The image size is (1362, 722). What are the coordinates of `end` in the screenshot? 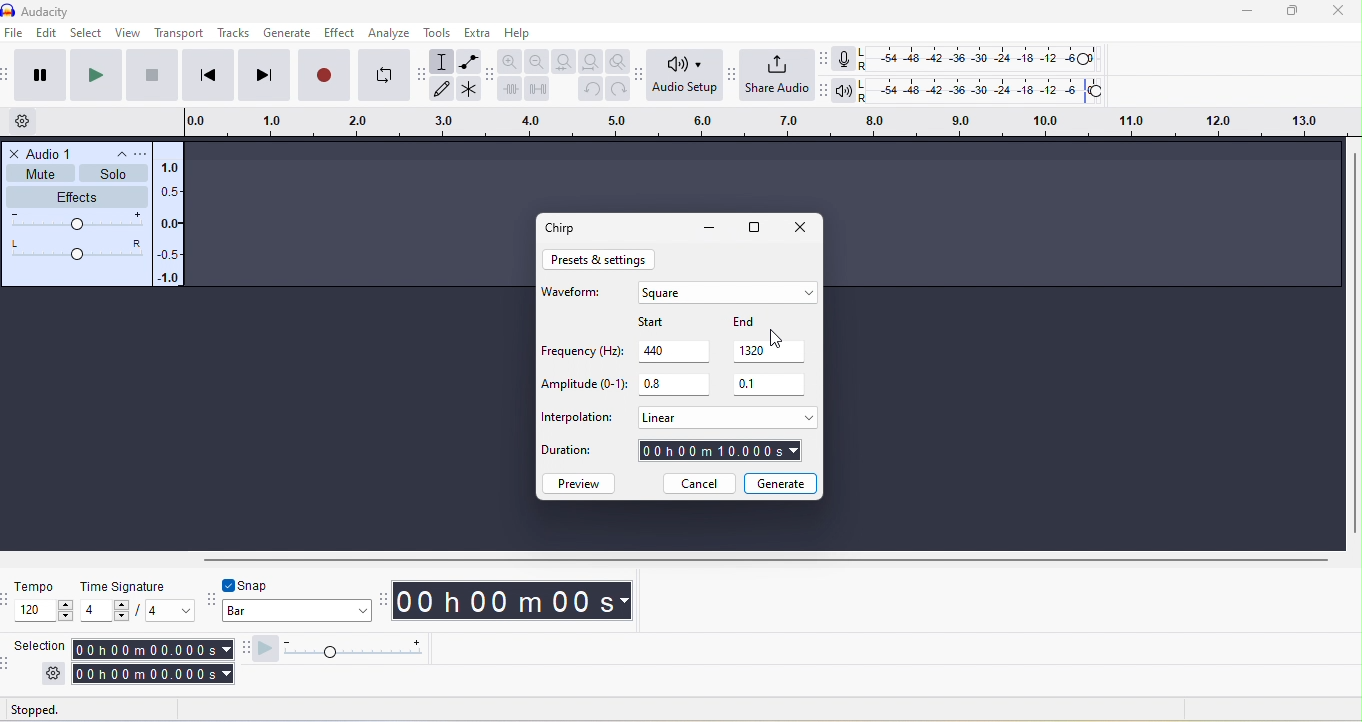 It's located at (765, 322).